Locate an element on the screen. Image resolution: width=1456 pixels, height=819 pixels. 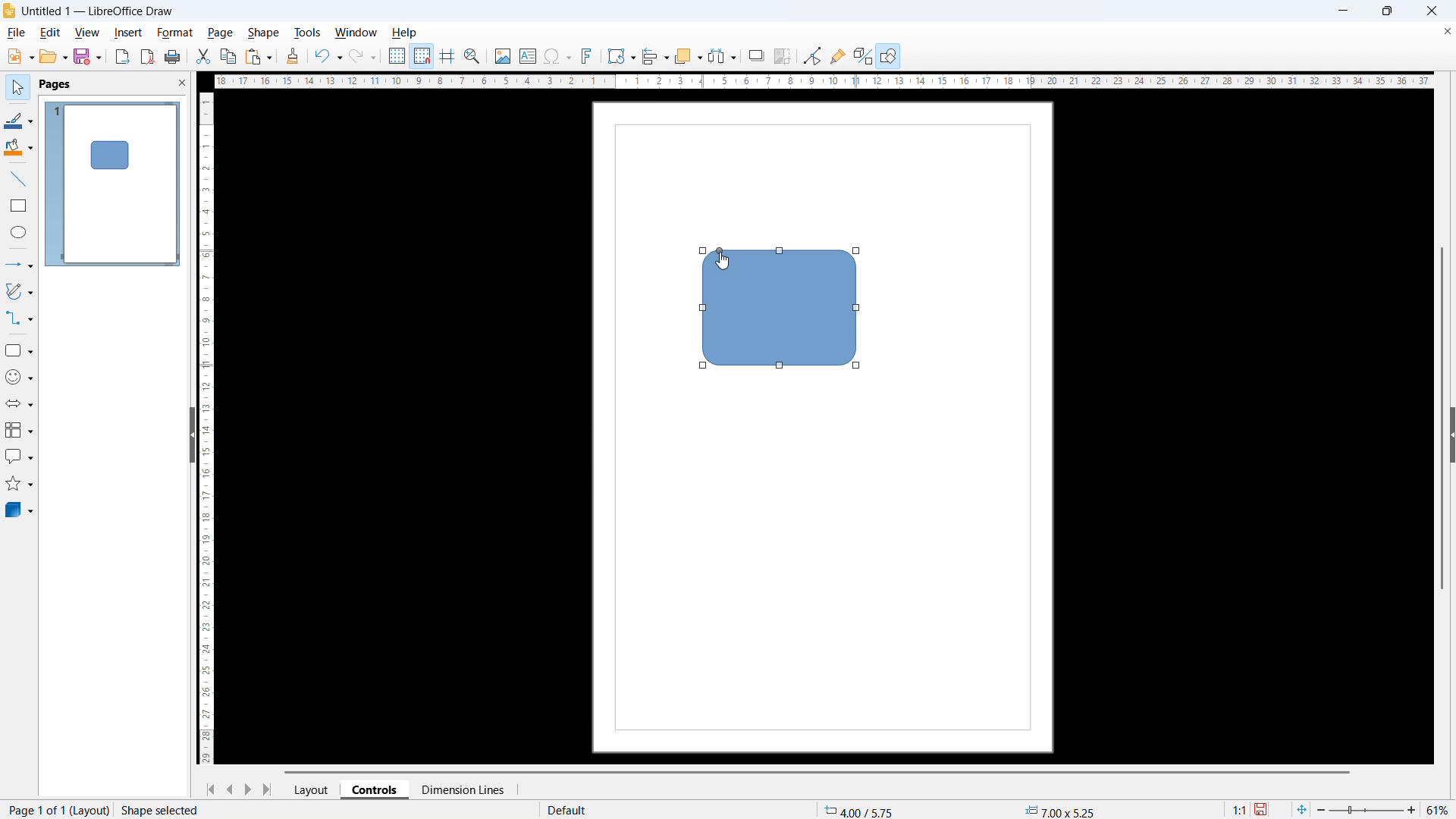
1:1 is located at coordinates (1238, 808).